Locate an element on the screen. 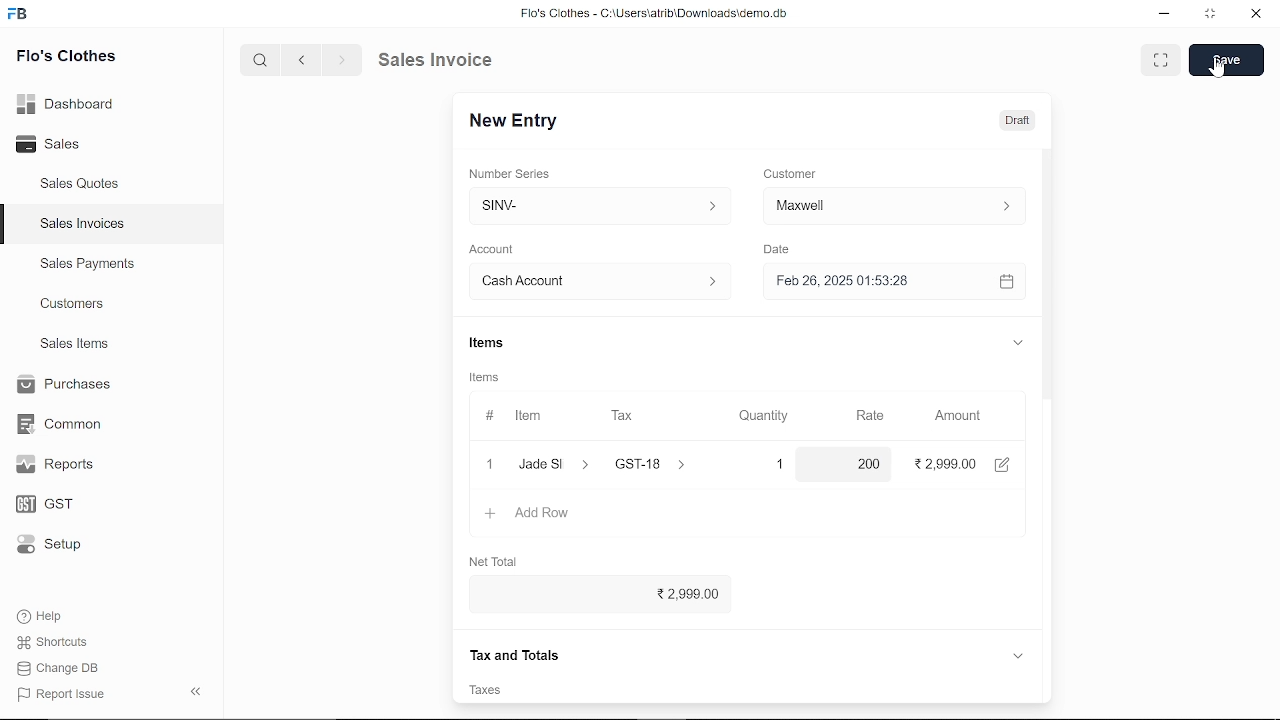  | Report Issue: is located at coordinates (64, 694).